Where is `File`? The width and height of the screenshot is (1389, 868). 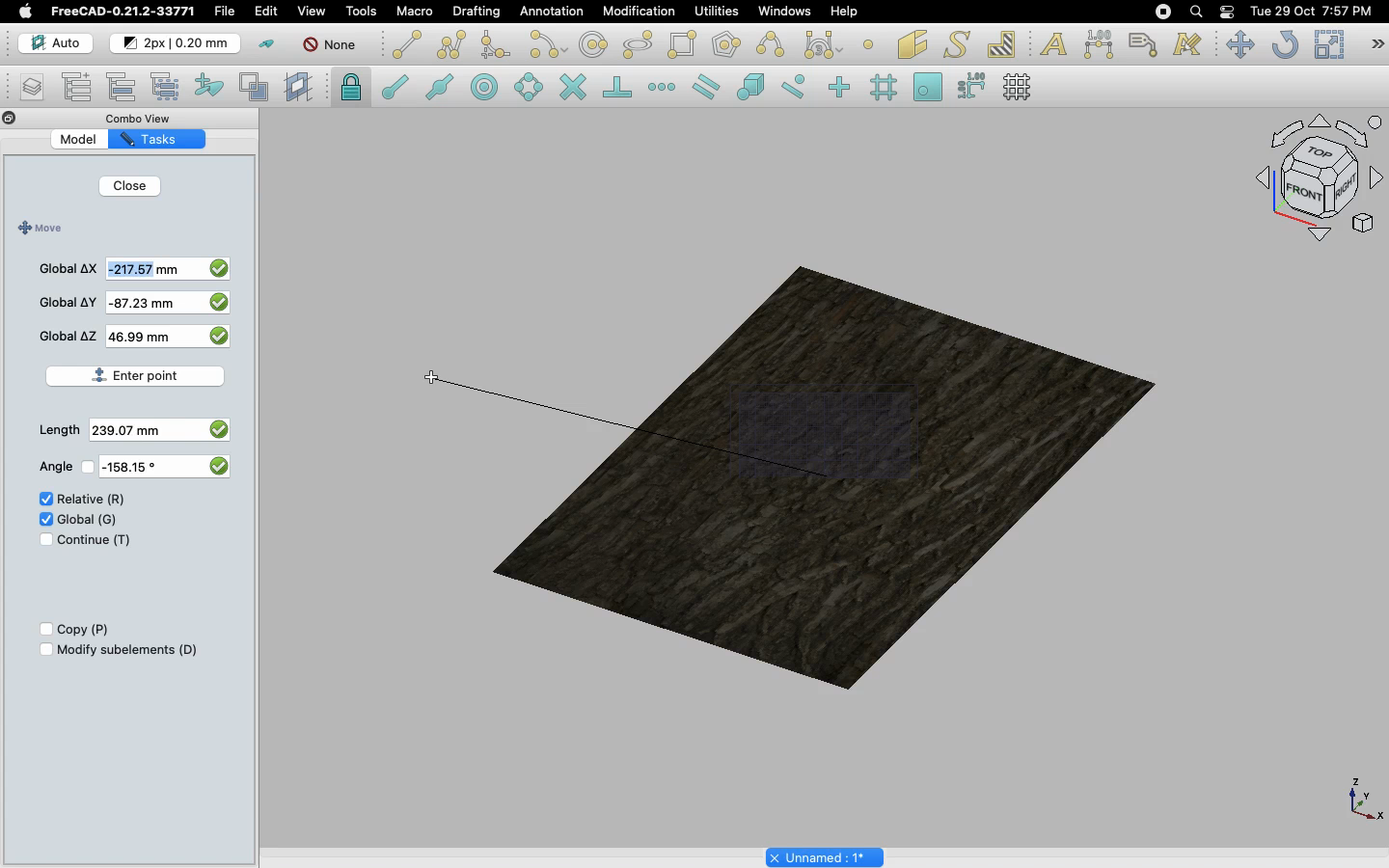
File is located at coordinates (225, 12).